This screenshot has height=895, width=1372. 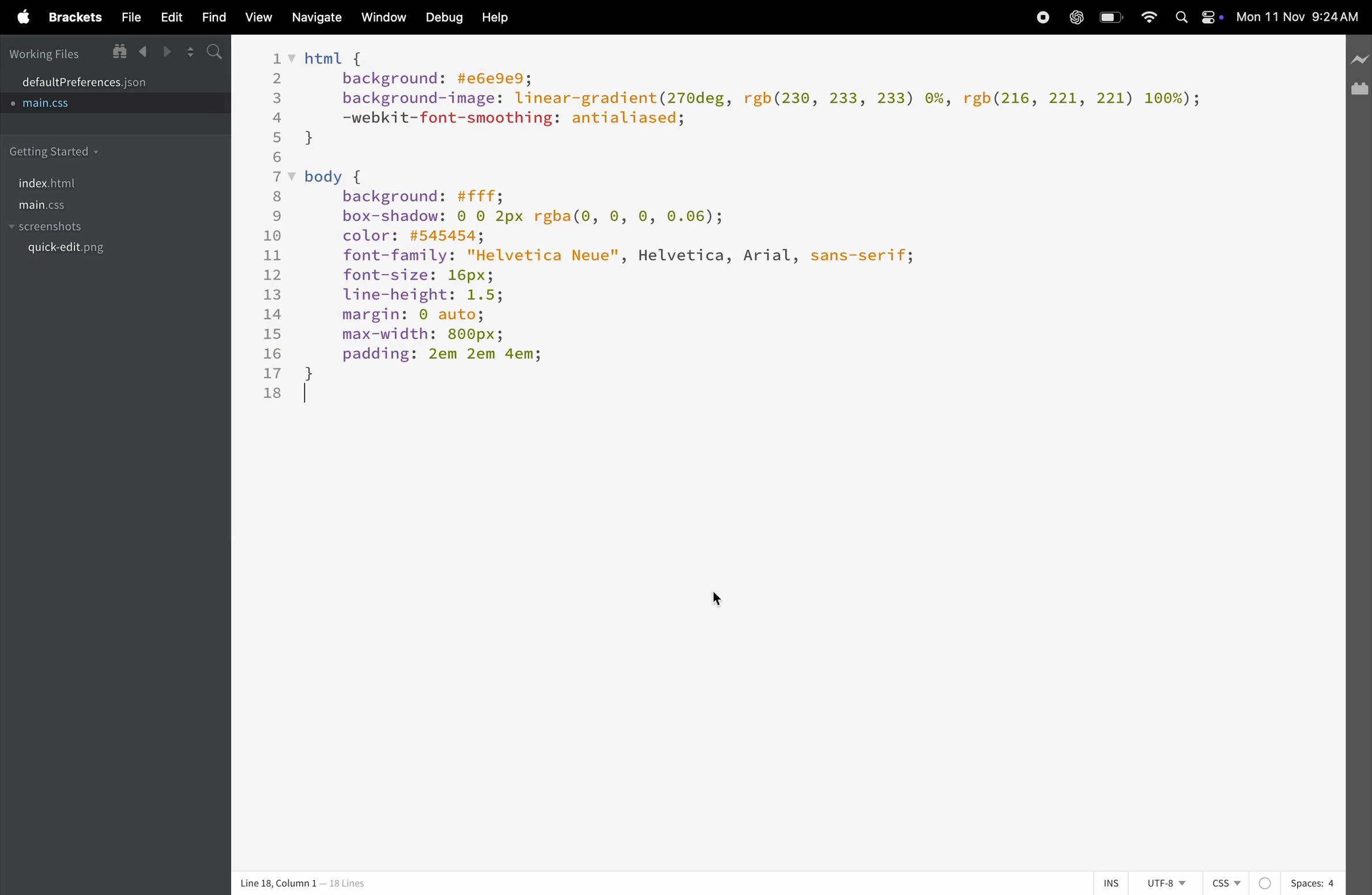 I want to click on working files, so click(x=43, y=53).